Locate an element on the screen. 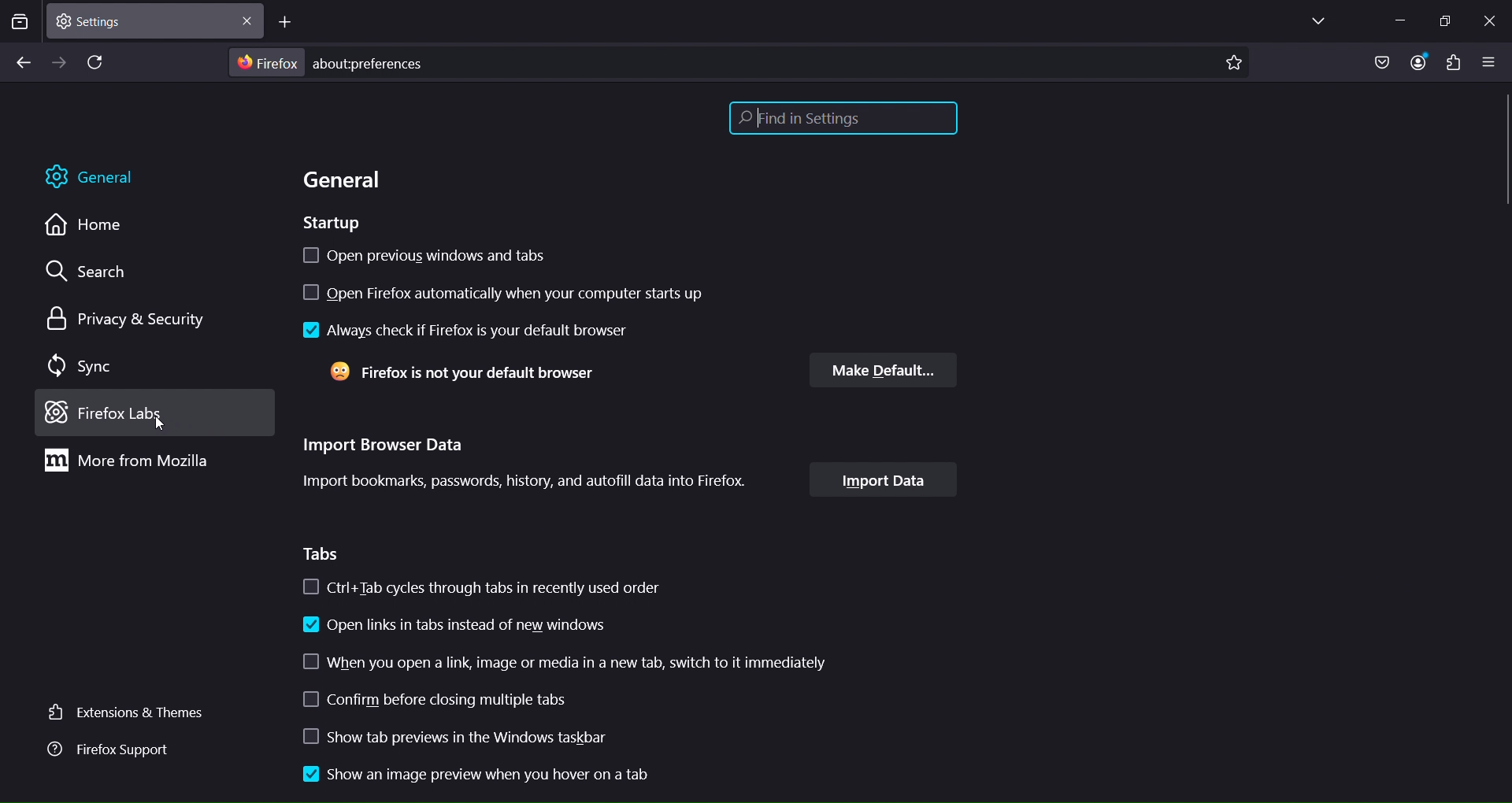  current tab is located at coordinates (106, 22).